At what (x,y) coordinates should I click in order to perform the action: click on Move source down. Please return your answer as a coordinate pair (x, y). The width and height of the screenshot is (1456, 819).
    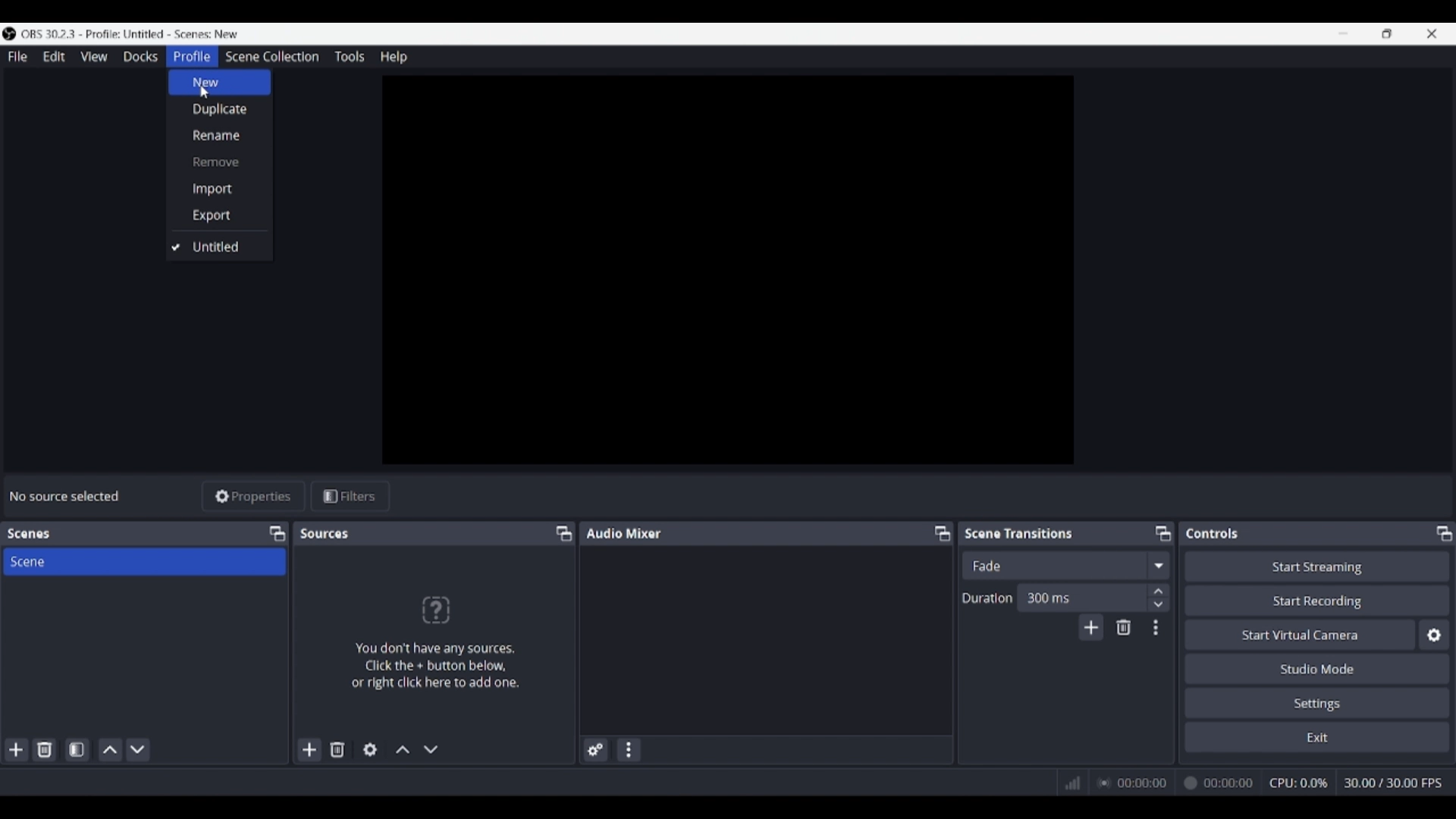
    Looking at the image, I should click on (431, 749).